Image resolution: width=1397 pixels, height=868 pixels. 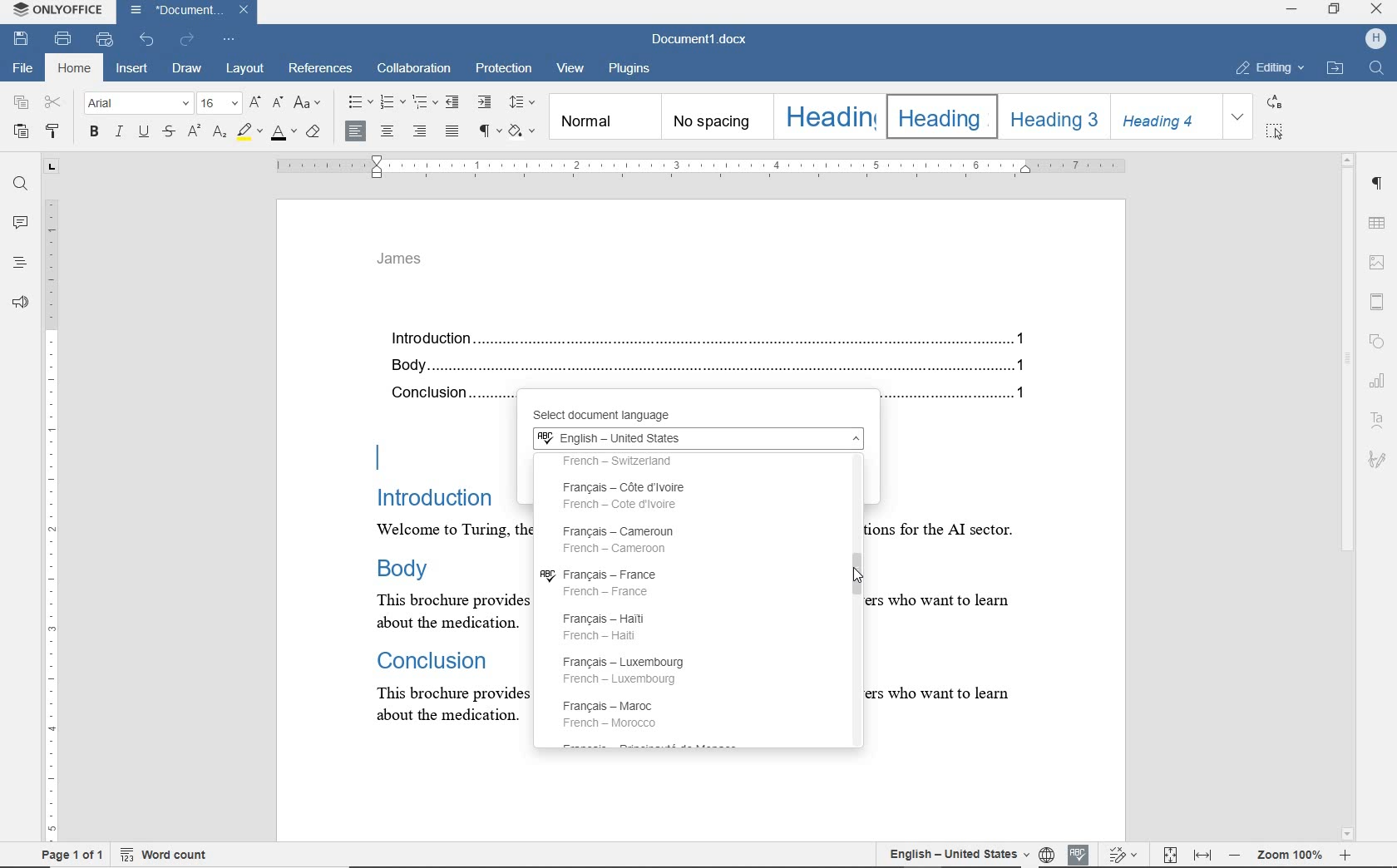 What do you see at coordinates (315, 132) in the screenshot?
I see `clear style` at bounding box center [315, 132].